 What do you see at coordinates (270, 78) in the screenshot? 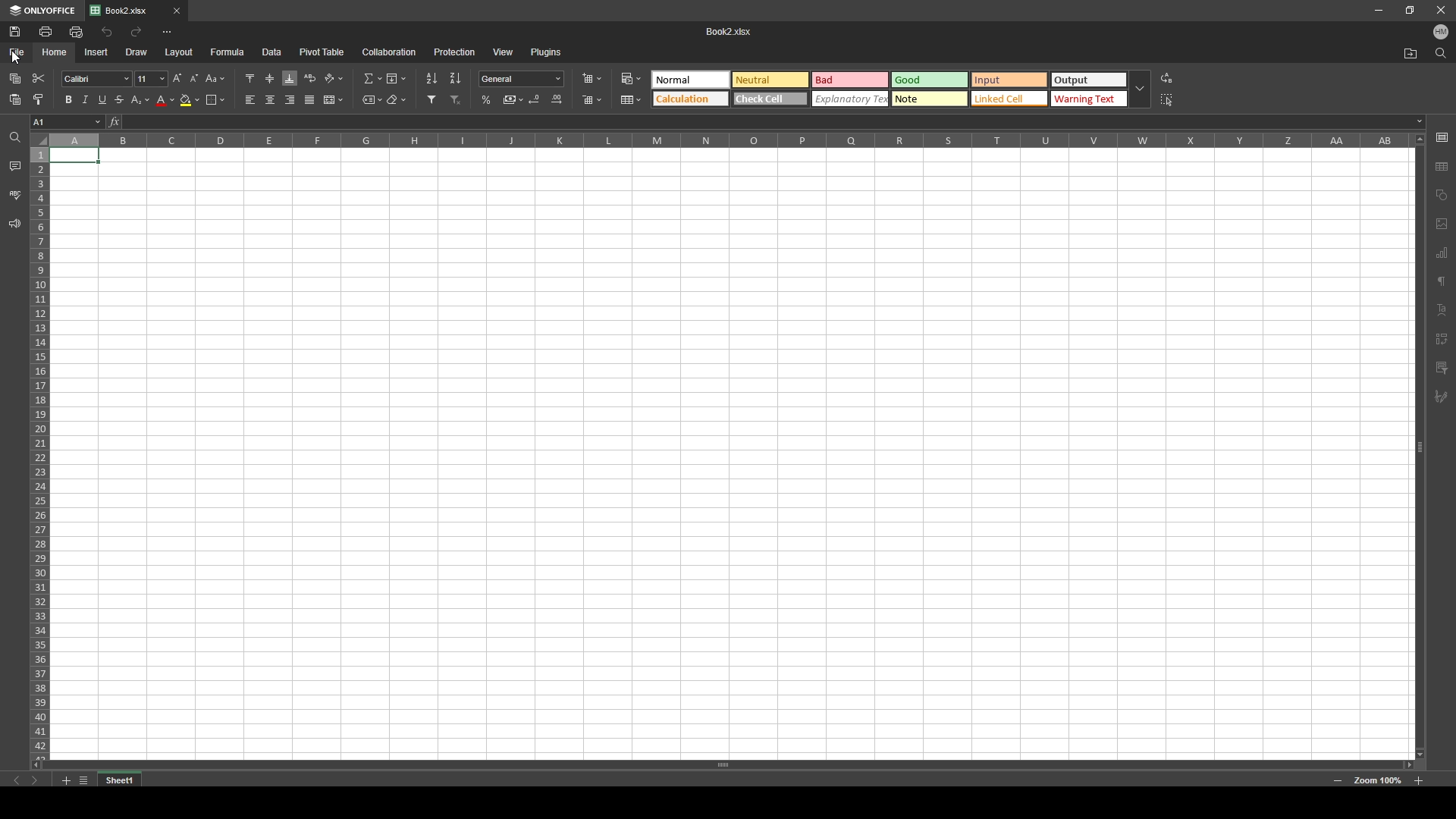
I see `align middle` at bounding box center [270, 78].